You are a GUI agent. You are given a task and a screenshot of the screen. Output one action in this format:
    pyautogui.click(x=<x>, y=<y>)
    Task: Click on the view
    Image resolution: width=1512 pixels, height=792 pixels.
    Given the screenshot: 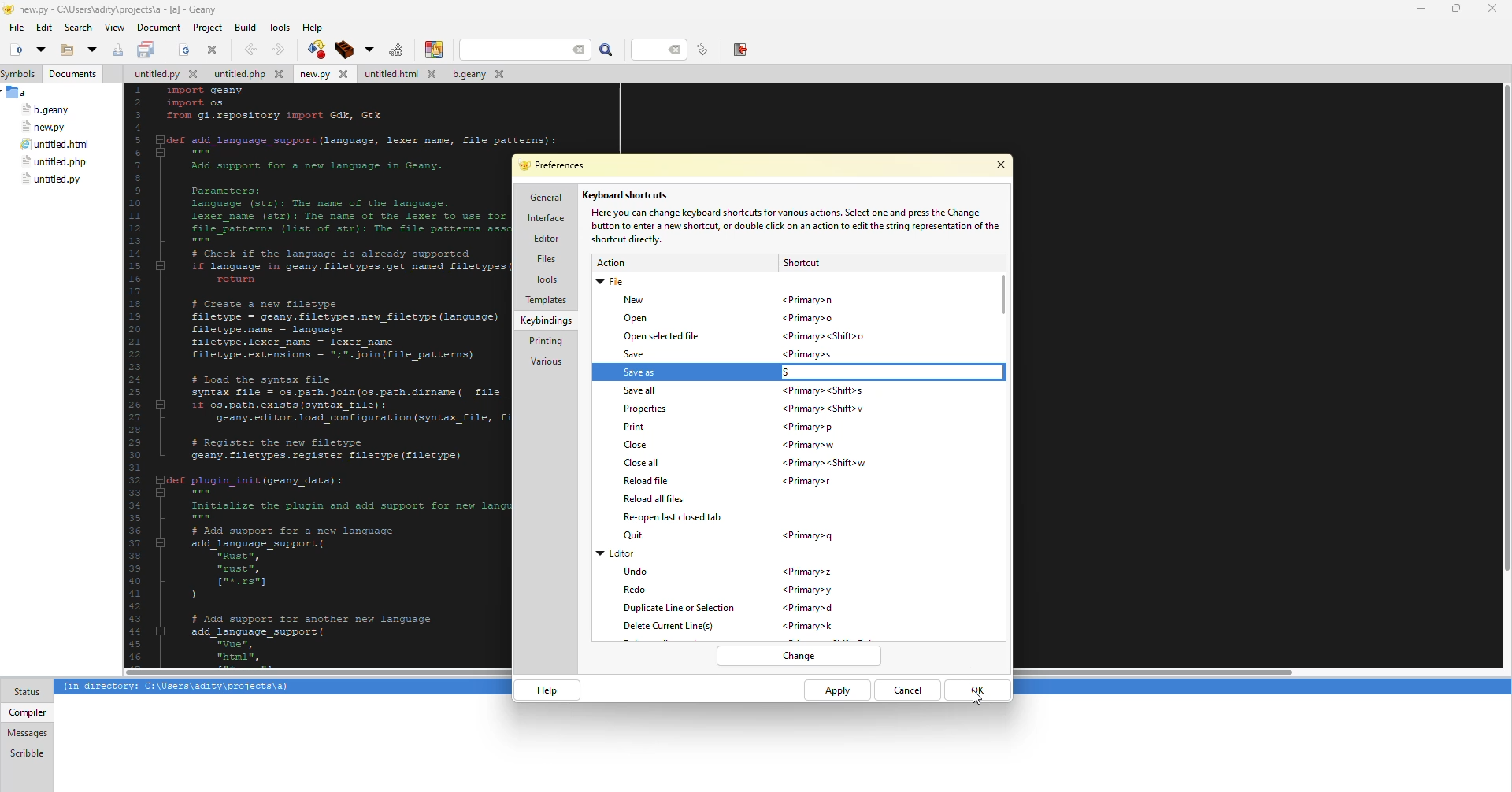 What is the action you would take?
    pyautogui.click(x=114, y=28)
    